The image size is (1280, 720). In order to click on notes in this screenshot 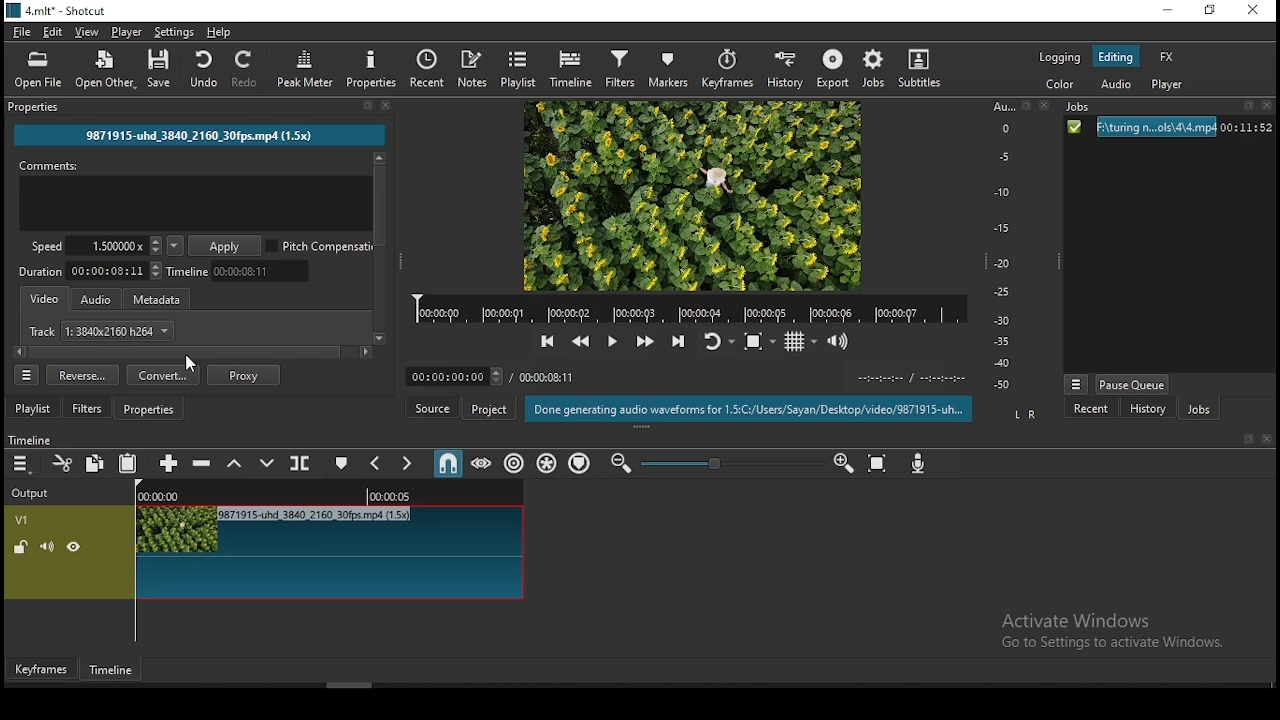, I will do `click(475, 68)`.